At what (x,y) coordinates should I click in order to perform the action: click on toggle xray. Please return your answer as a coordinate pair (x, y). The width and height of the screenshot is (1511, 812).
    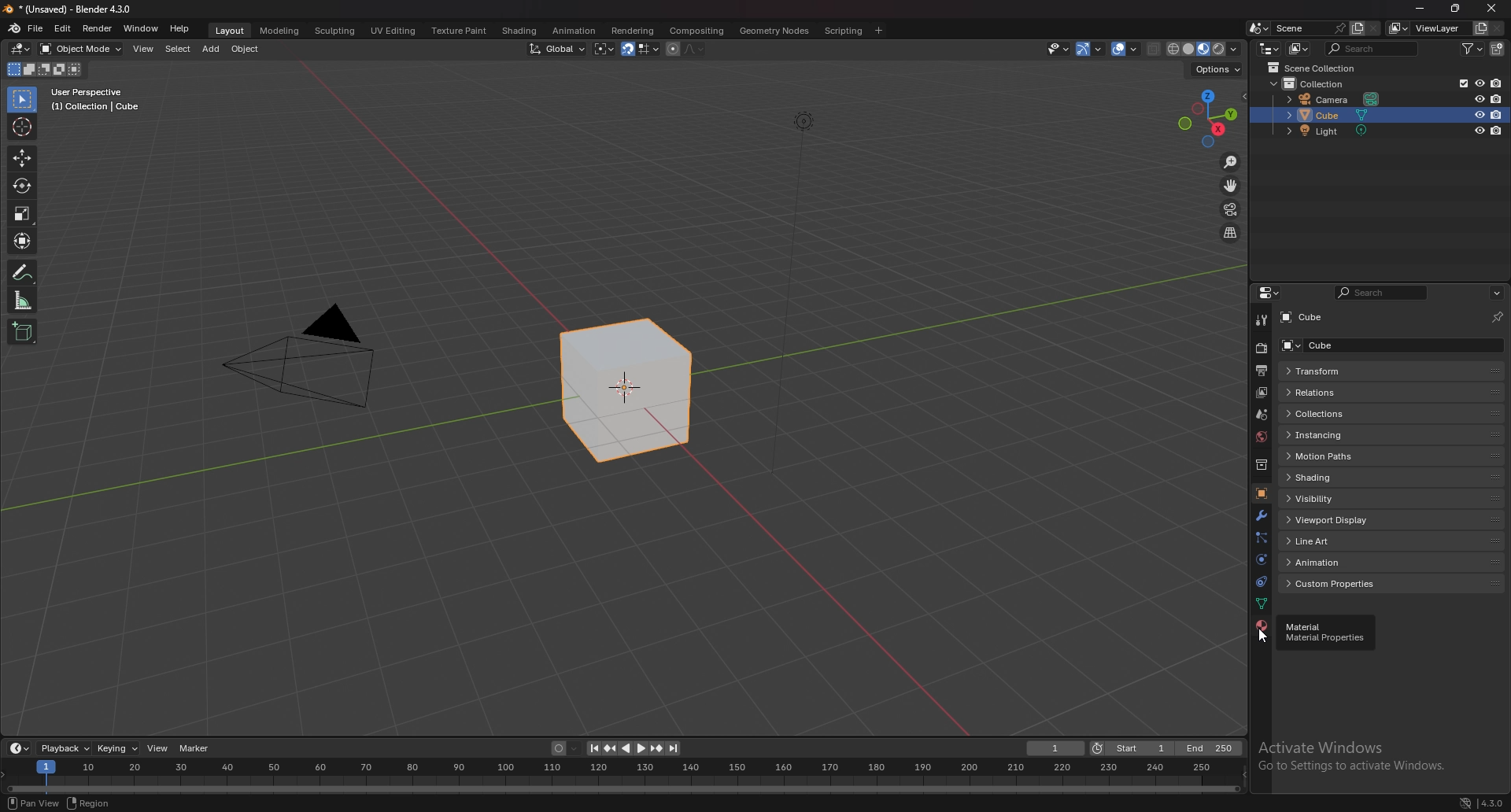
    Looking at the image, I should click on (1154, 49).